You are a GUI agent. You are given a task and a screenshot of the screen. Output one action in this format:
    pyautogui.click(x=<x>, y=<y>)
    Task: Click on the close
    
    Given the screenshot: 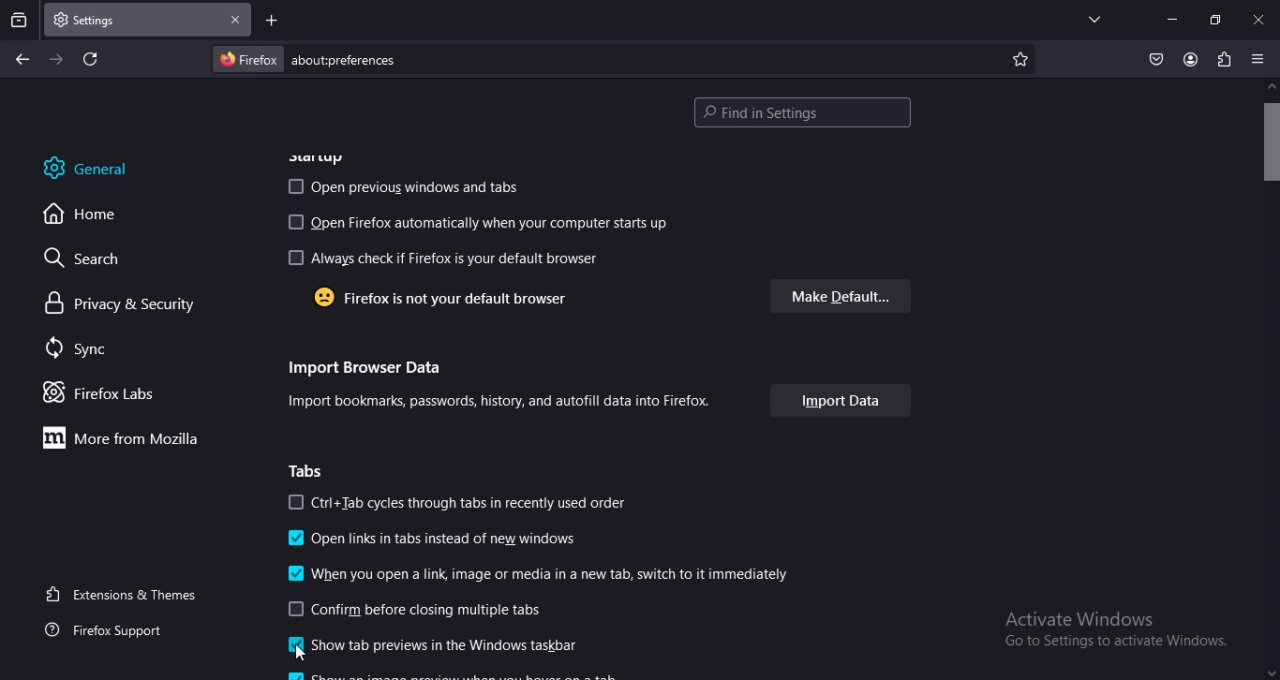 What is the action you would take?
    pyautogui.click(x=1258, y=22)
    